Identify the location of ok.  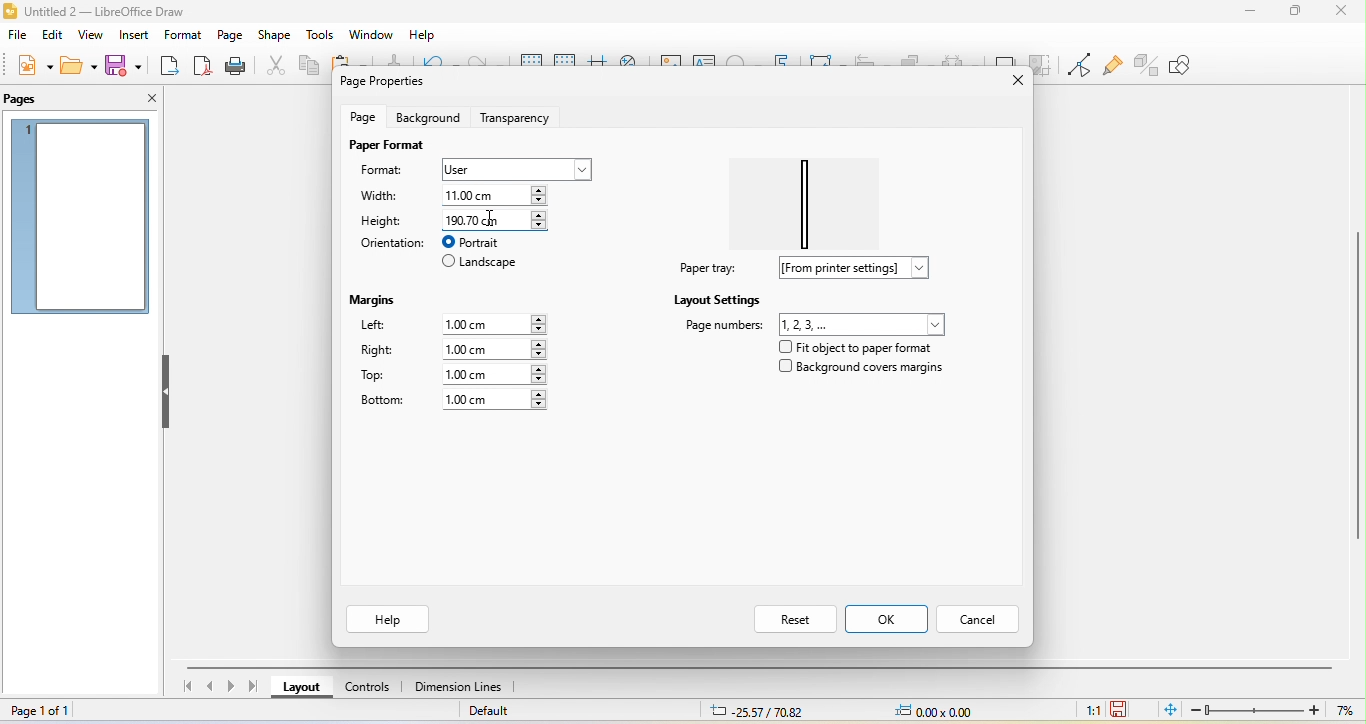
(888, 619).